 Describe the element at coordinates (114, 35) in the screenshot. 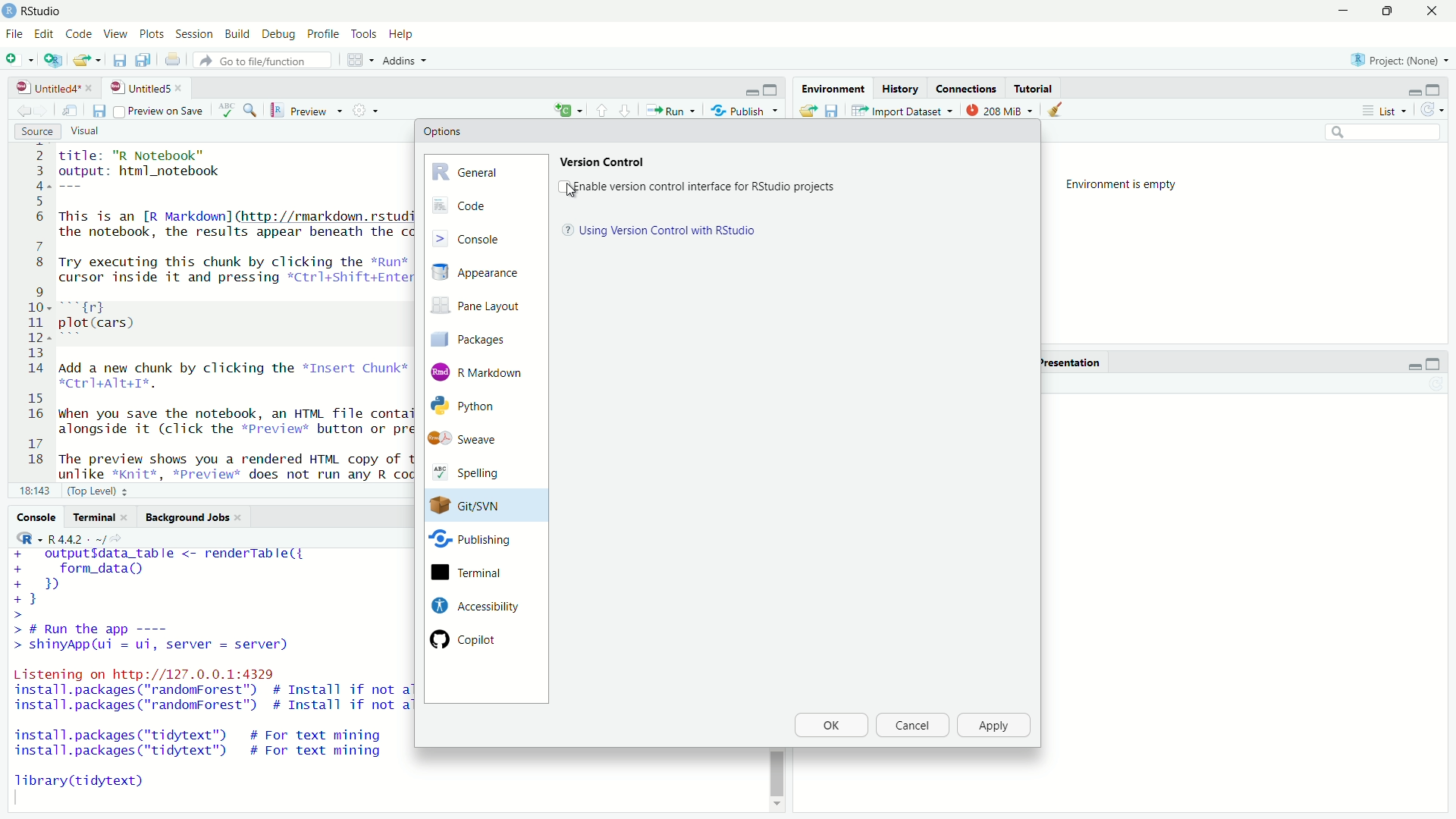

I see `View` at that location.